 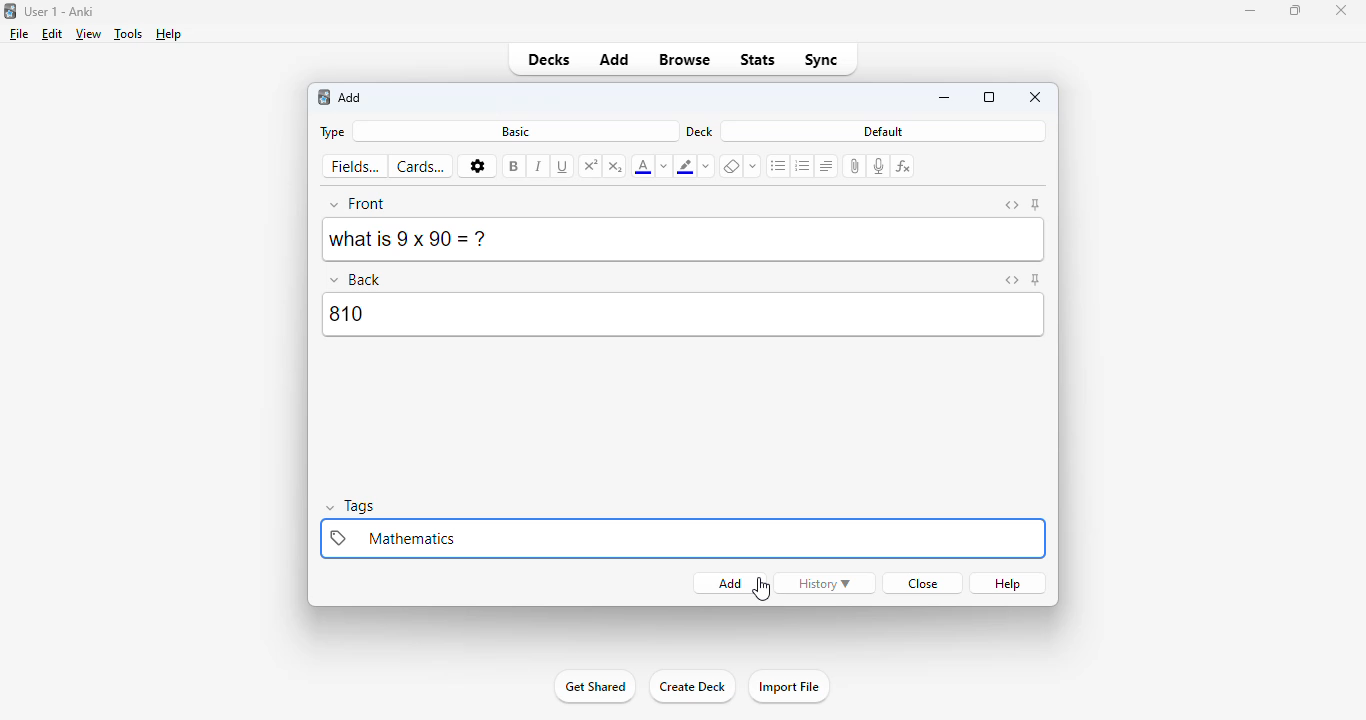 I want to click on import file, so click(x=788, y=687).